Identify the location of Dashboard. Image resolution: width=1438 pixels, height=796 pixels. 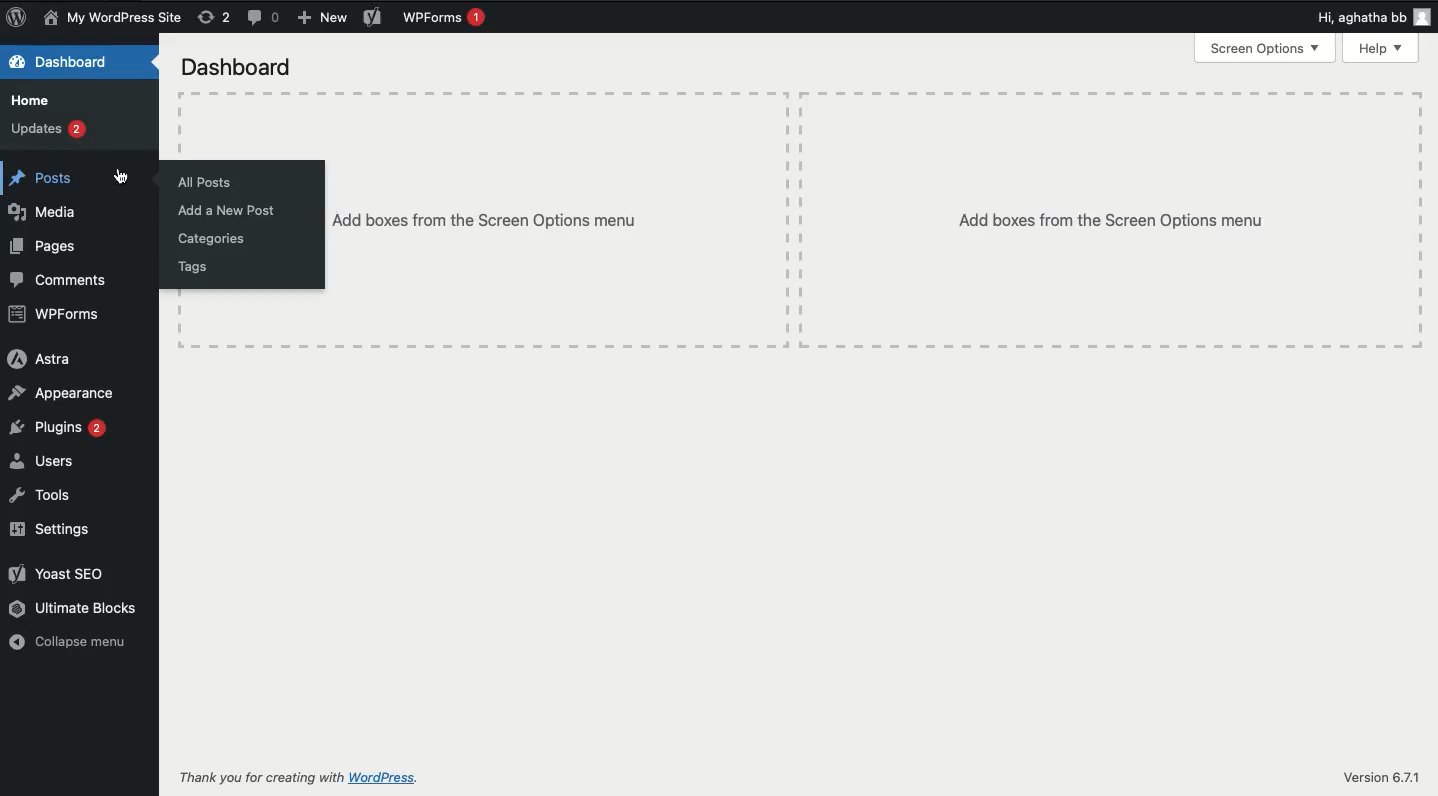
(68, 63).